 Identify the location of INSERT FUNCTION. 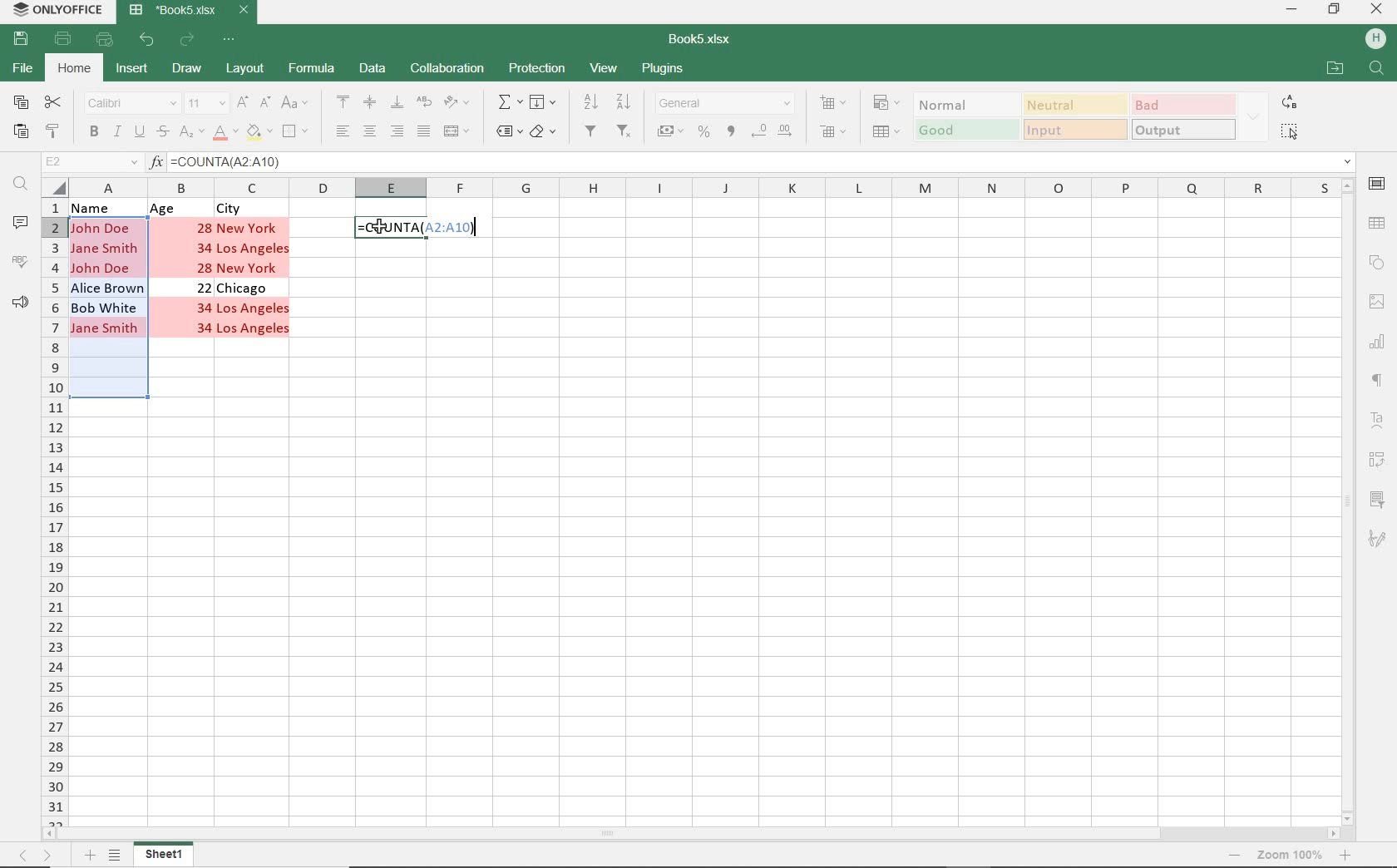
(508, 101).